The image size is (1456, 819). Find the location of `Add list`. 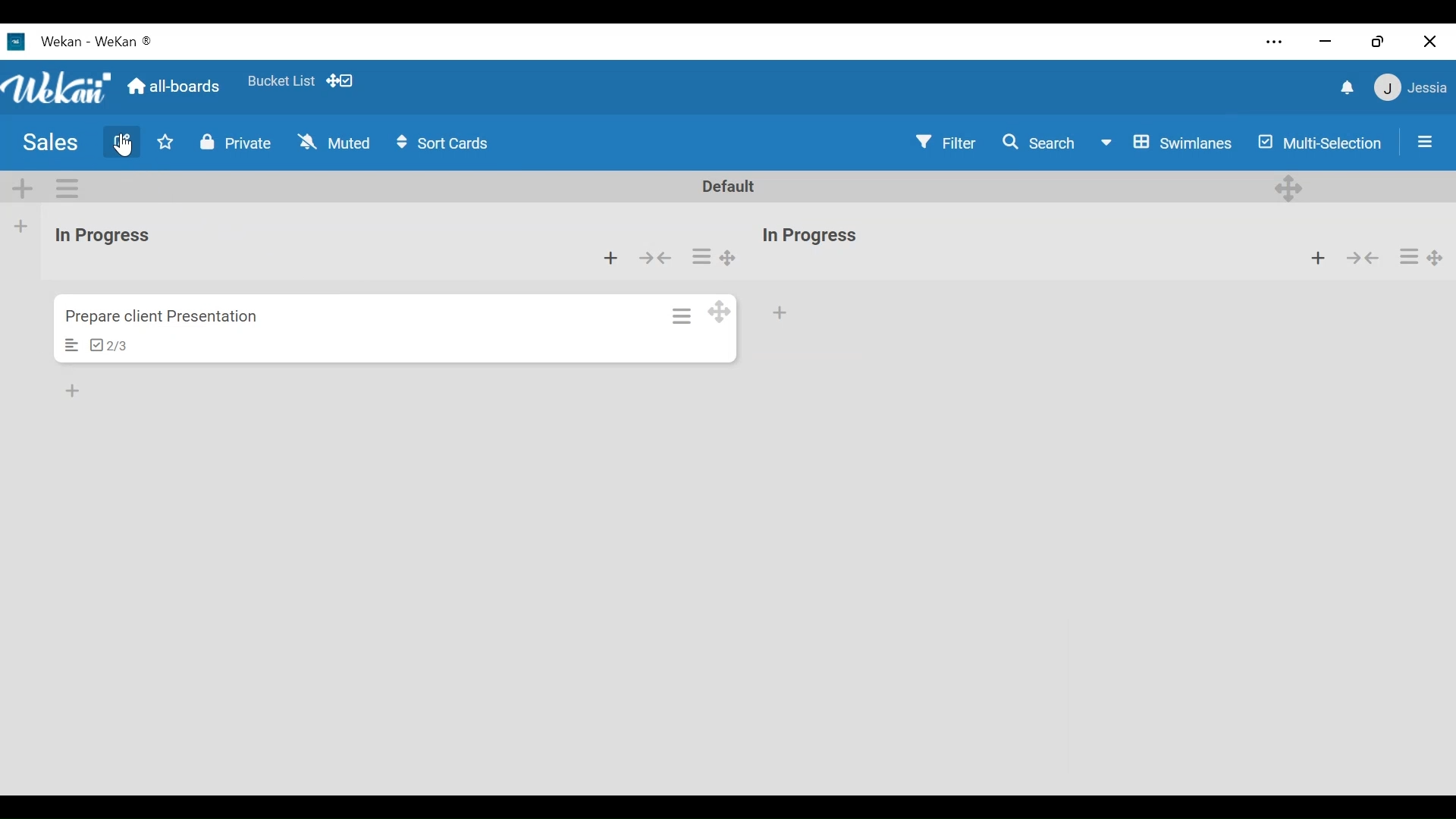

Add list is located at coordinates (21, 227).